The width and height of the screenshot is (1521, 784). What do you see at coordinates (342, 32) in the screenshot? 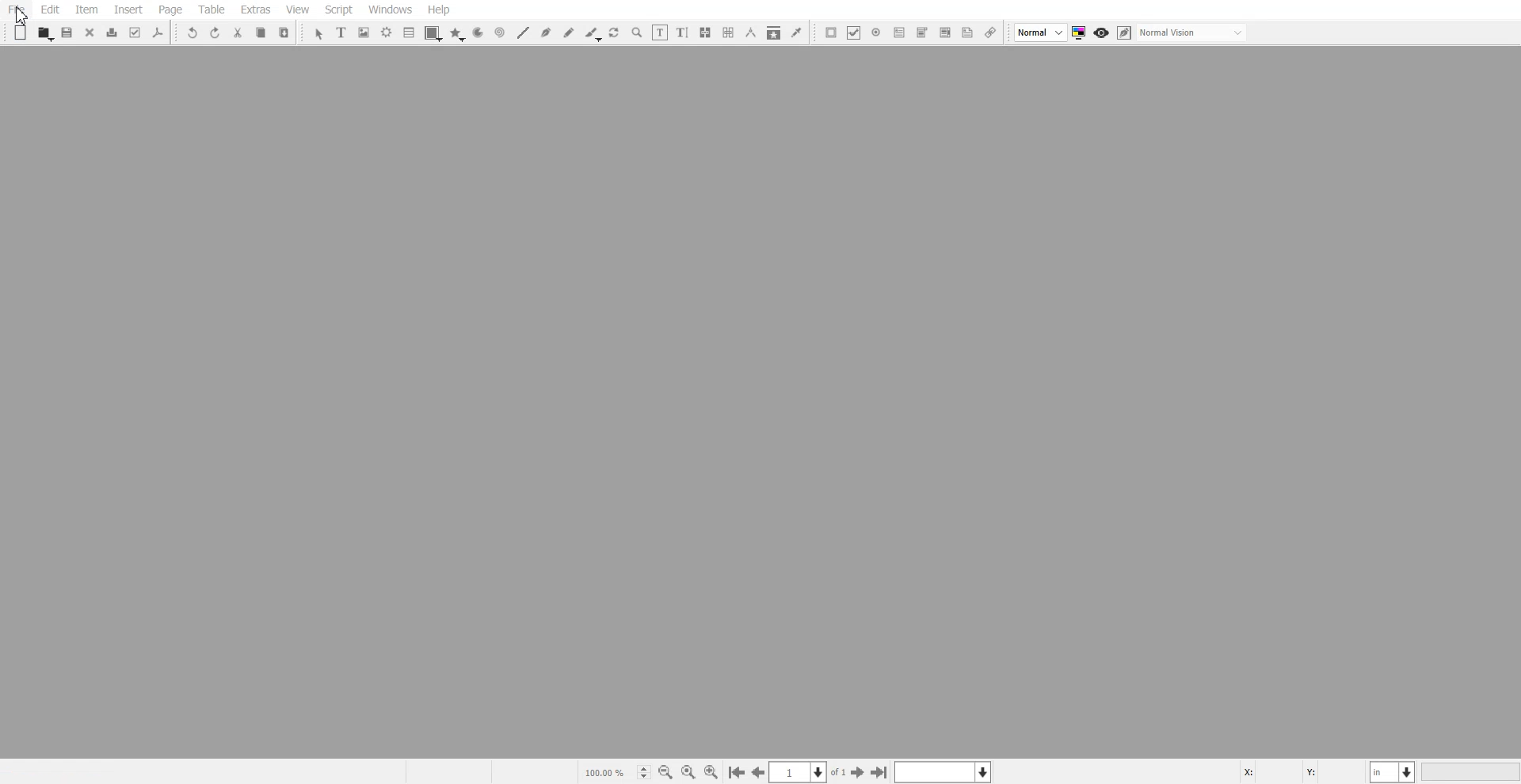
I see `Text Frame` at bounding box center [342, 32].